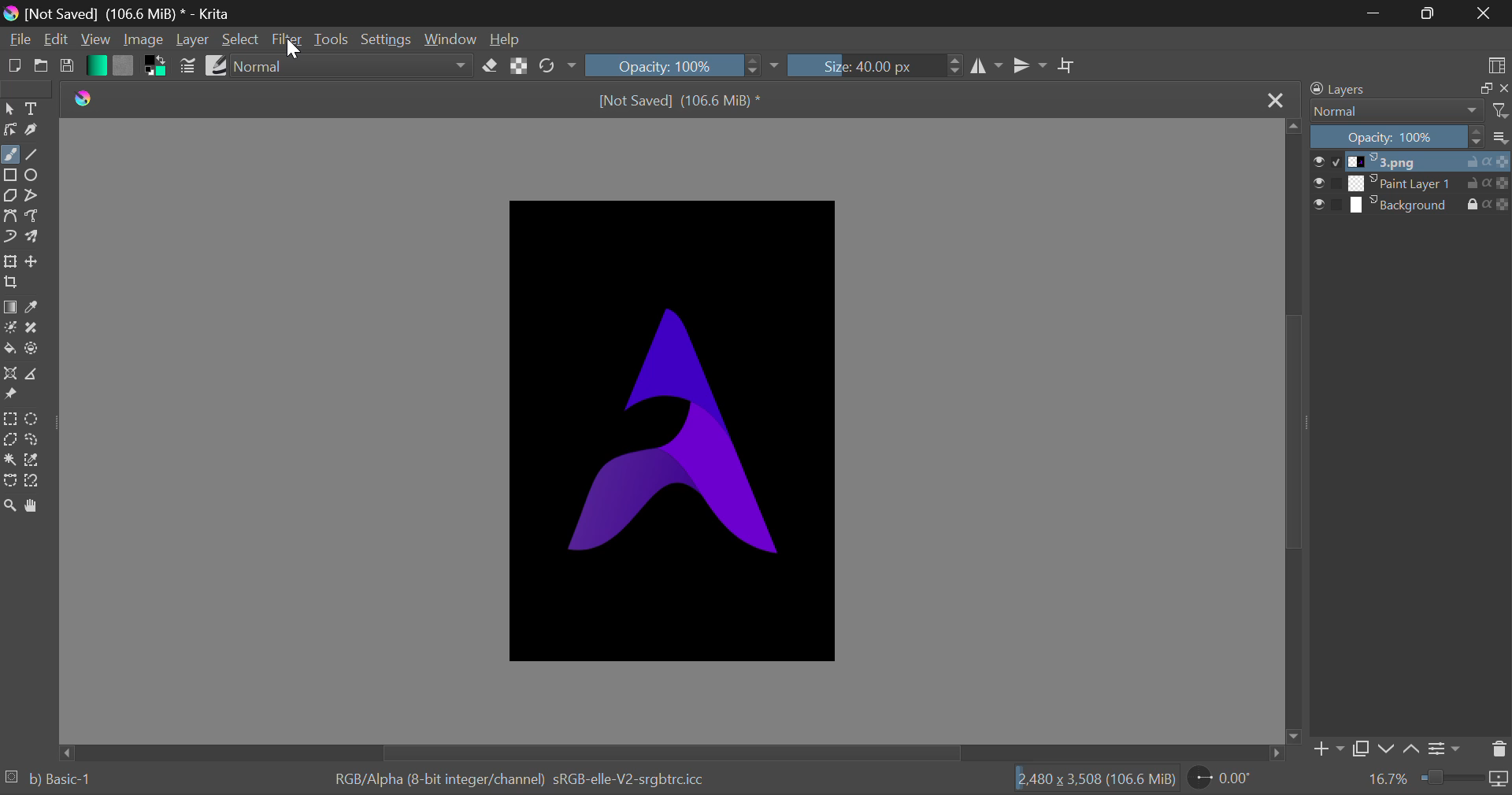 This screenshot has height=795, width=1512. What do you see at coordinates (217, 65) in the screenshot?
I see `Brush Presets` at bounding box center [217, 65].